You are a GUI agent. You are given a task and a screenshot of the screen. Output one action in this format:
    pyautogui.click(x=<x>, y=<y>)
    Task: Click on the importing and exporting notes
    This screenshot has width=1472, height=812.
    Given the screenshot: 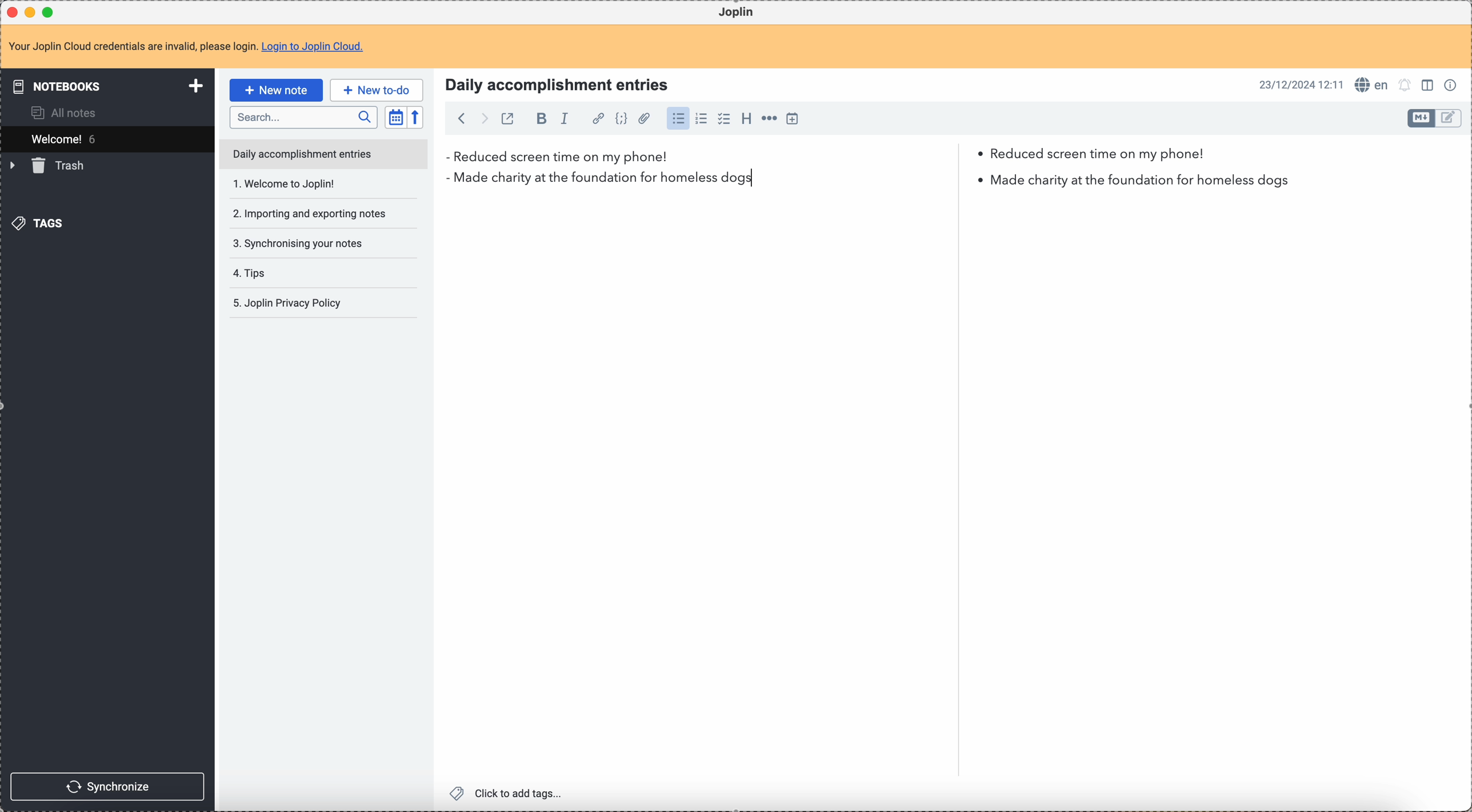 What is the action you would take?
    pyautogui.click(x=309, y=183)
    